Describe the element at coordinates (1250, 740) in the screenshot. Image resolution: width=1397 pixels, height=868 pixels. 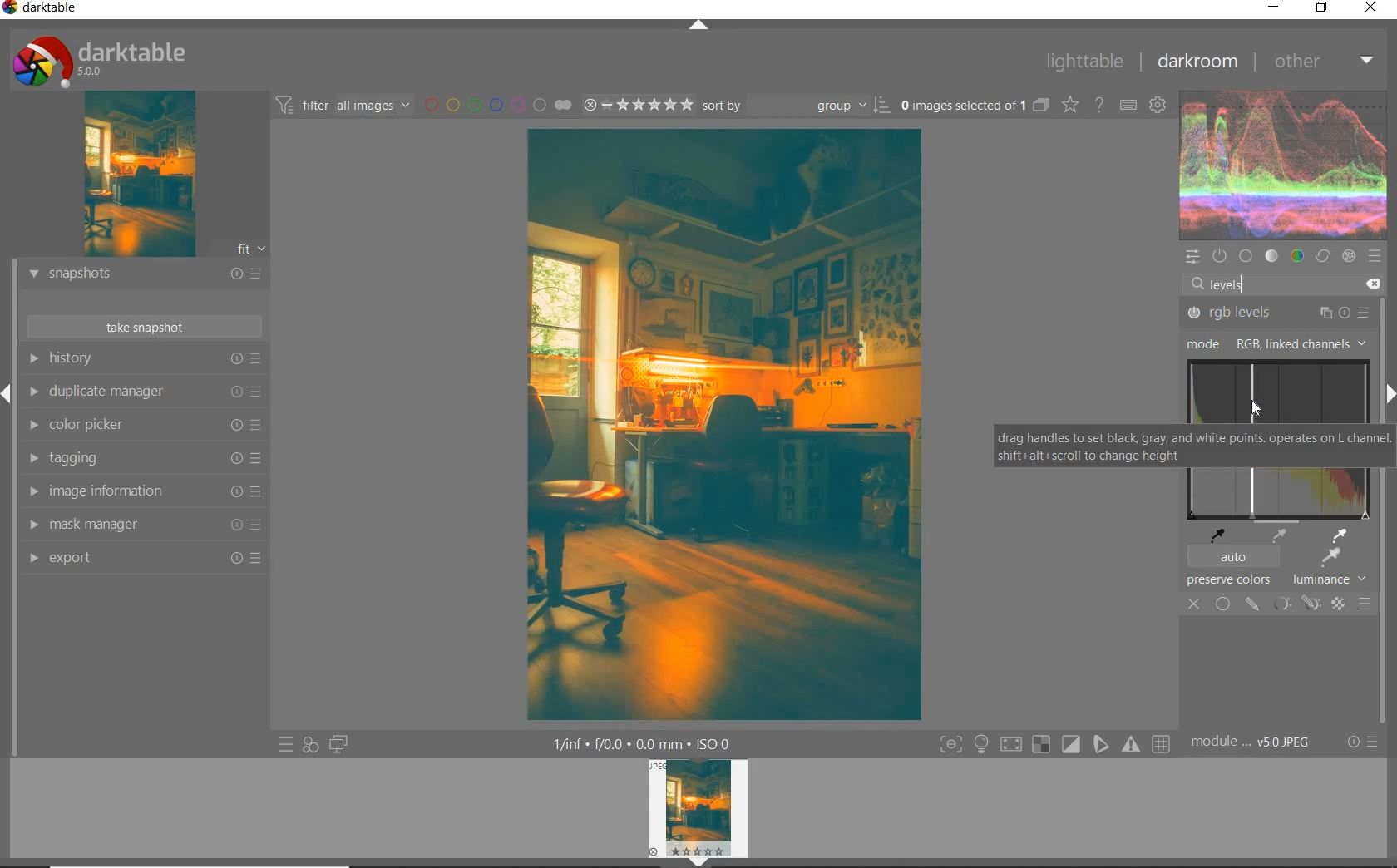
I see `module` at that location.